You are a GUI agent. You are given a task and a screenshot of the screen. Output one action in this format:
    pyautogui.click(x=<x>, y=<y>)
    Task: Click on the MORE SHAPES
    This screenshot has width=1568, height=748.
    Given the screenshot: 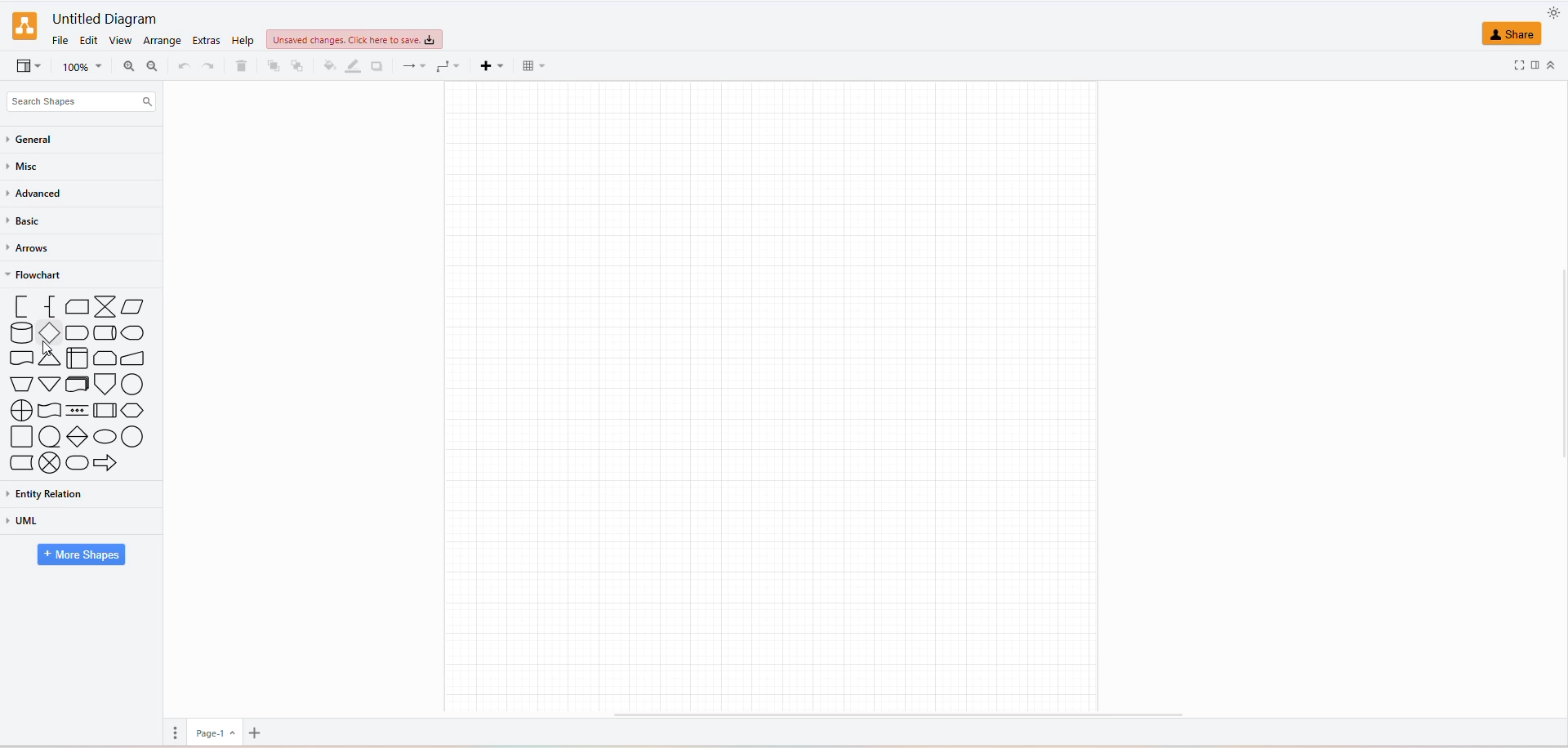 What is the action you would take?
    pyautogui.click(x=83, y=554)
    